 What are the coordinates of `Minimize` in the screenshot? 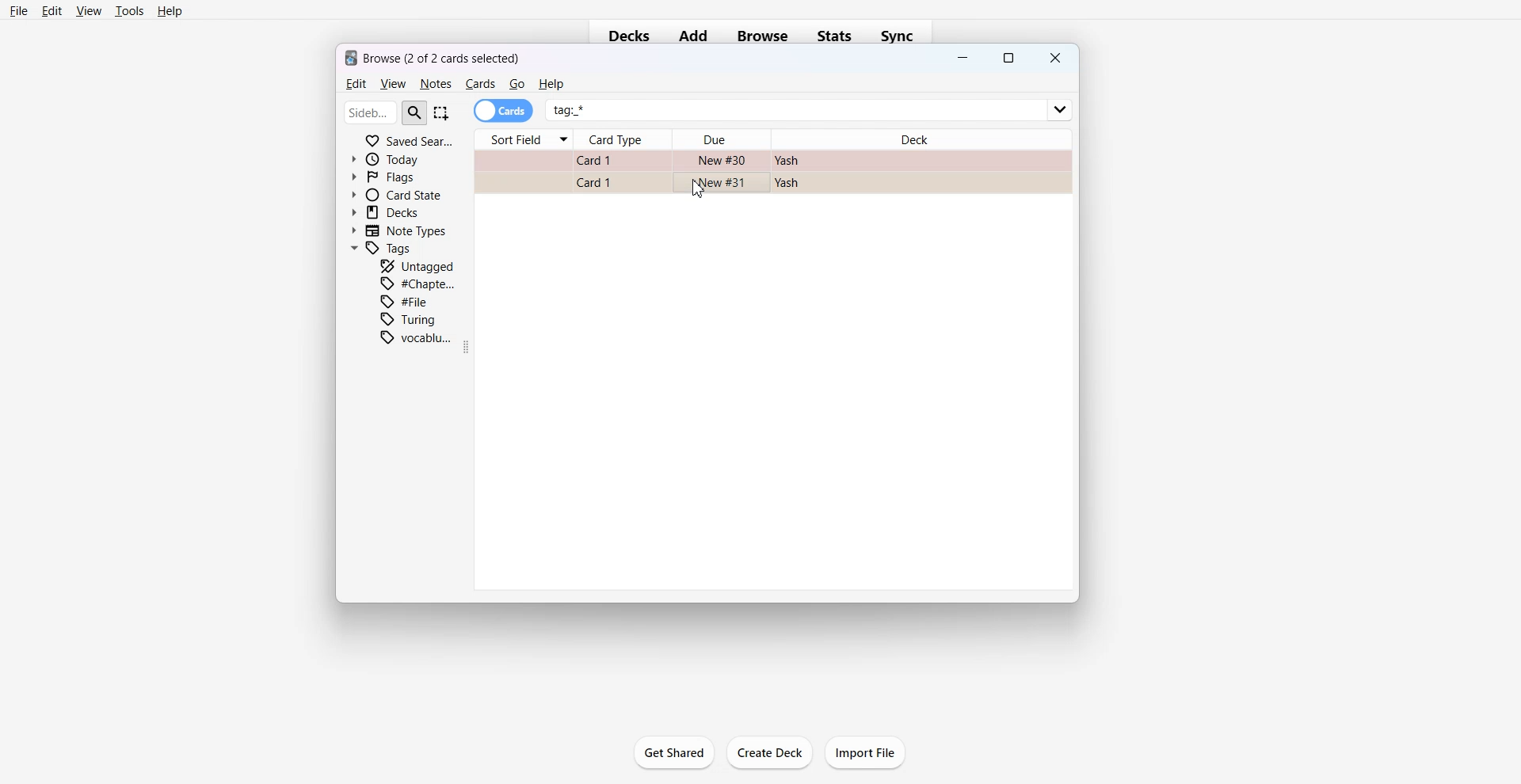 It's located at (963, 59).